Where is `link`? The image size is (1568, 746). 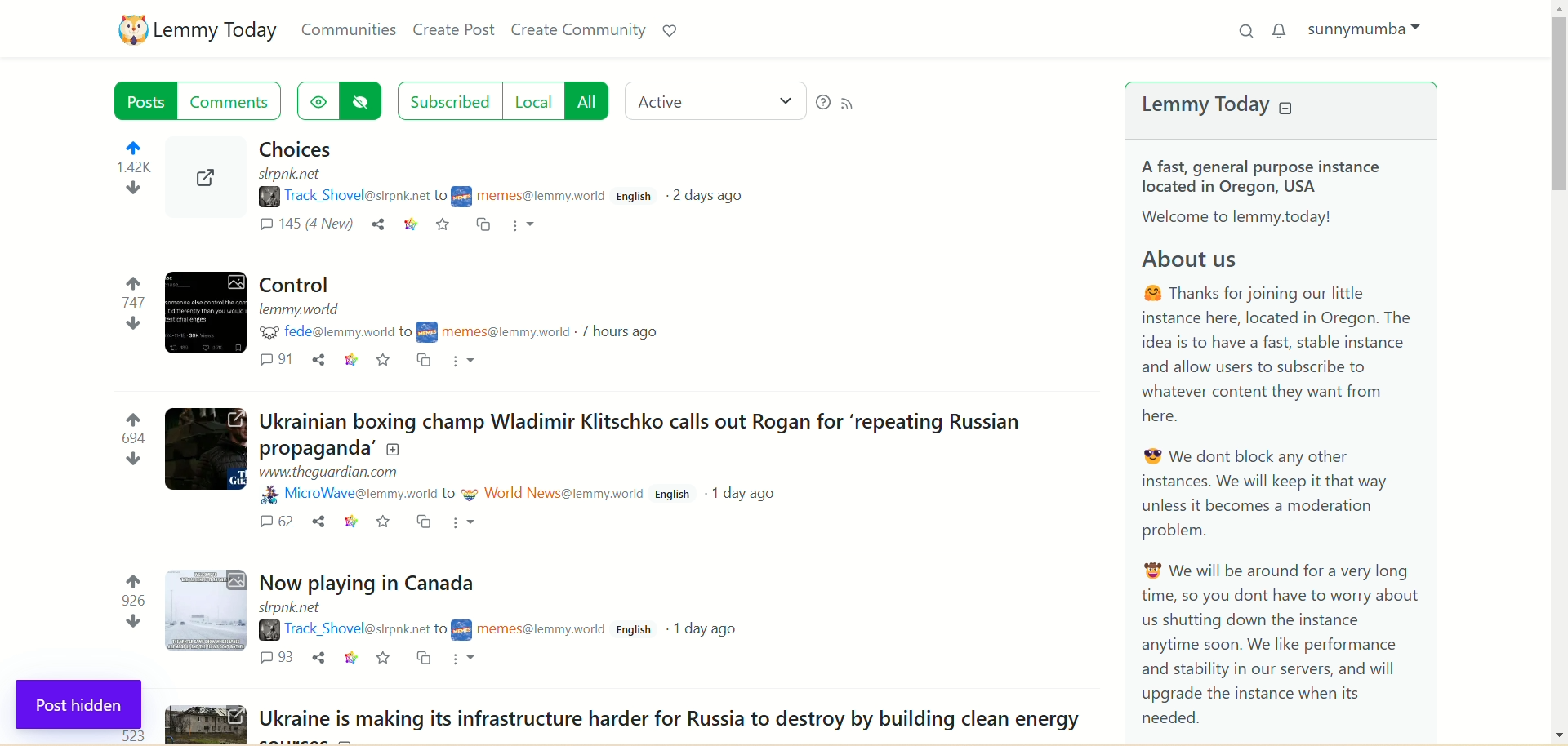
link is located at coordinates (348, 521).